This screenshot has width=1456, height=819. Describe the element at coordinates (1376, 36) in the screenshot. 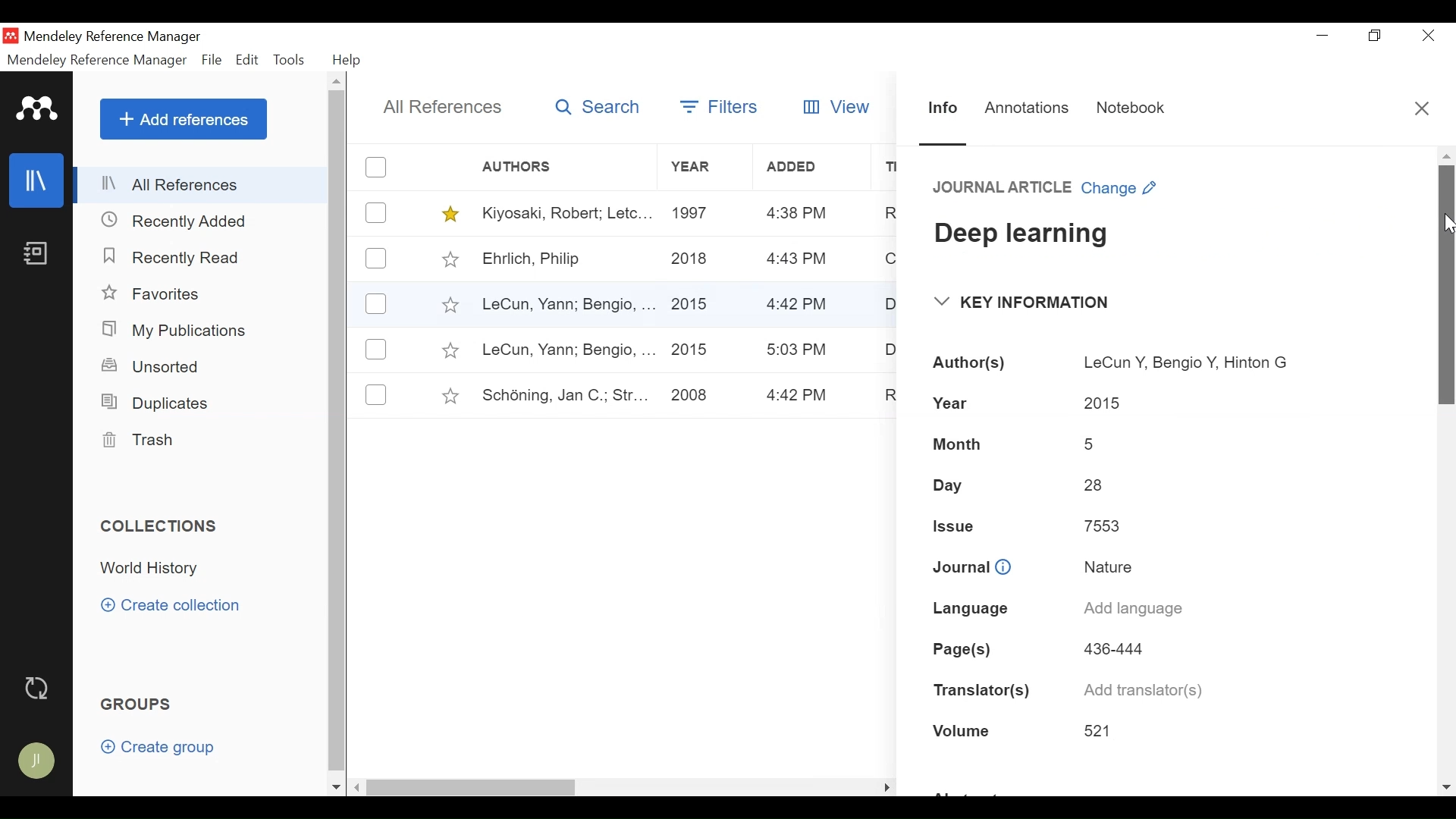

I see `Restore` at that location.